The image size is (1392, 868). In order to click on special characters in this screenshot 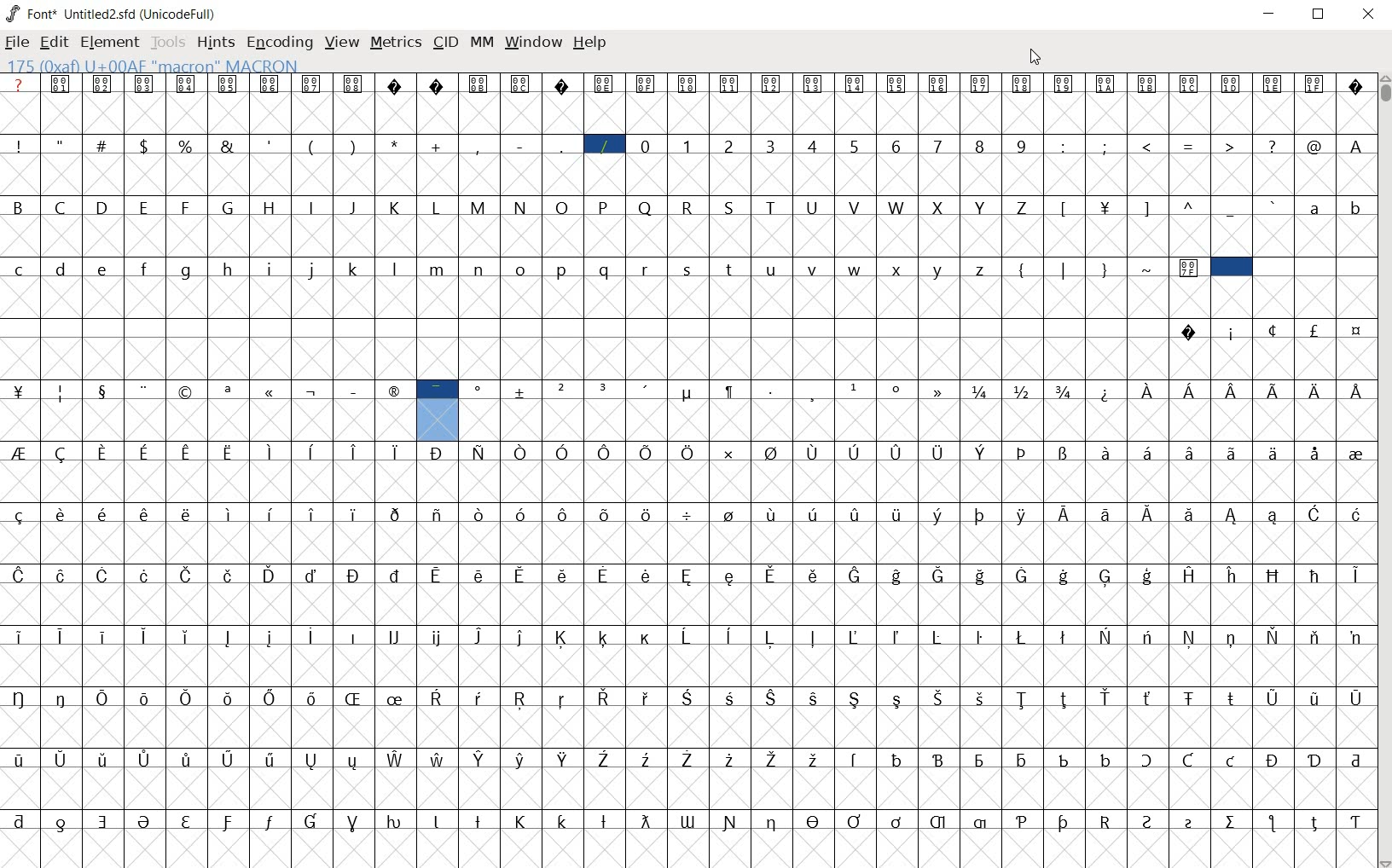, I will do `click(1208, 165)`.